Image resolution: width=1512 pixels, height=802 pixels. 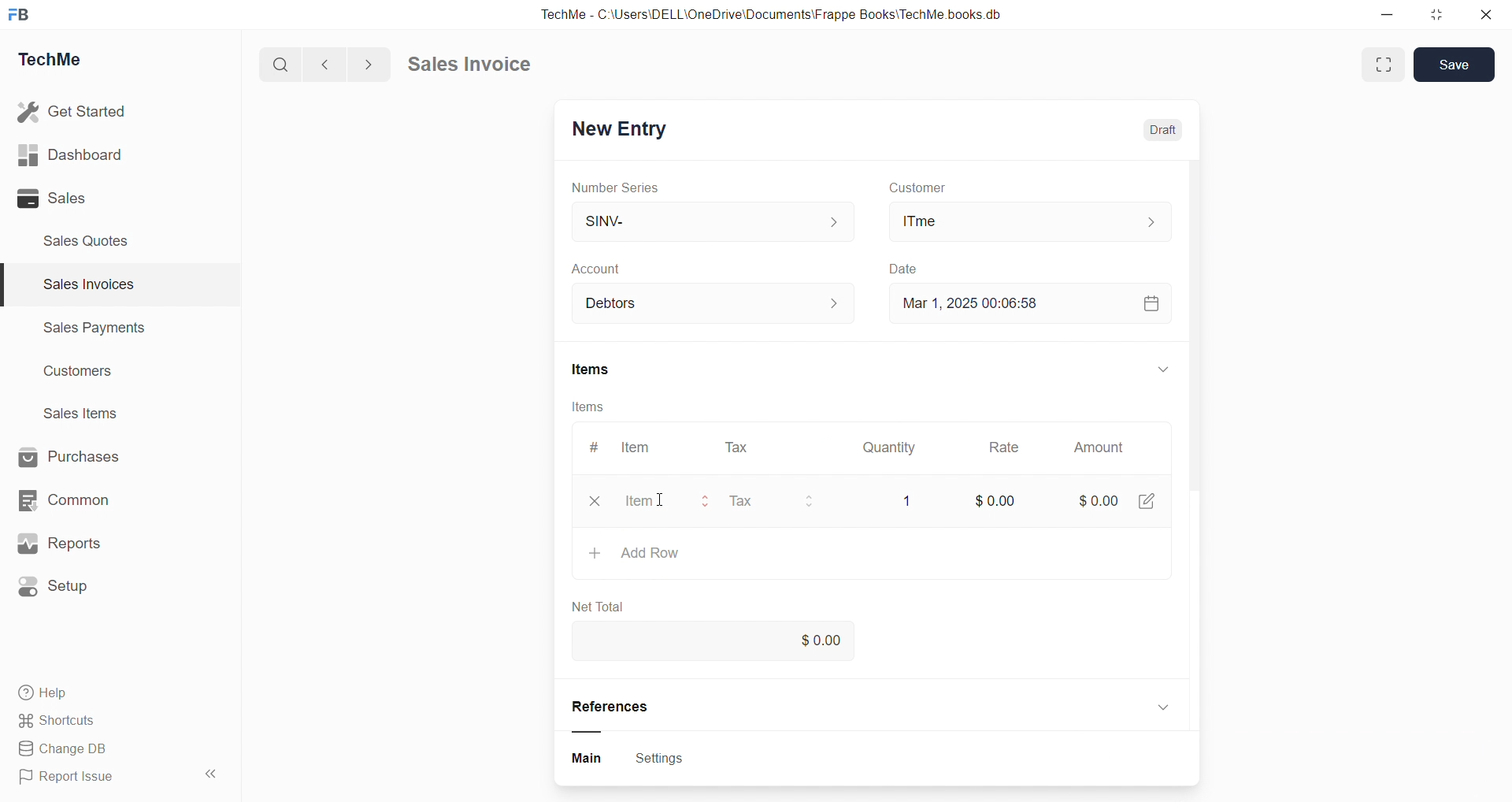 What do you see at coordinates (73, 779) in the screenshot?
I see ` Report Issue` at bounding box center [73, 779].